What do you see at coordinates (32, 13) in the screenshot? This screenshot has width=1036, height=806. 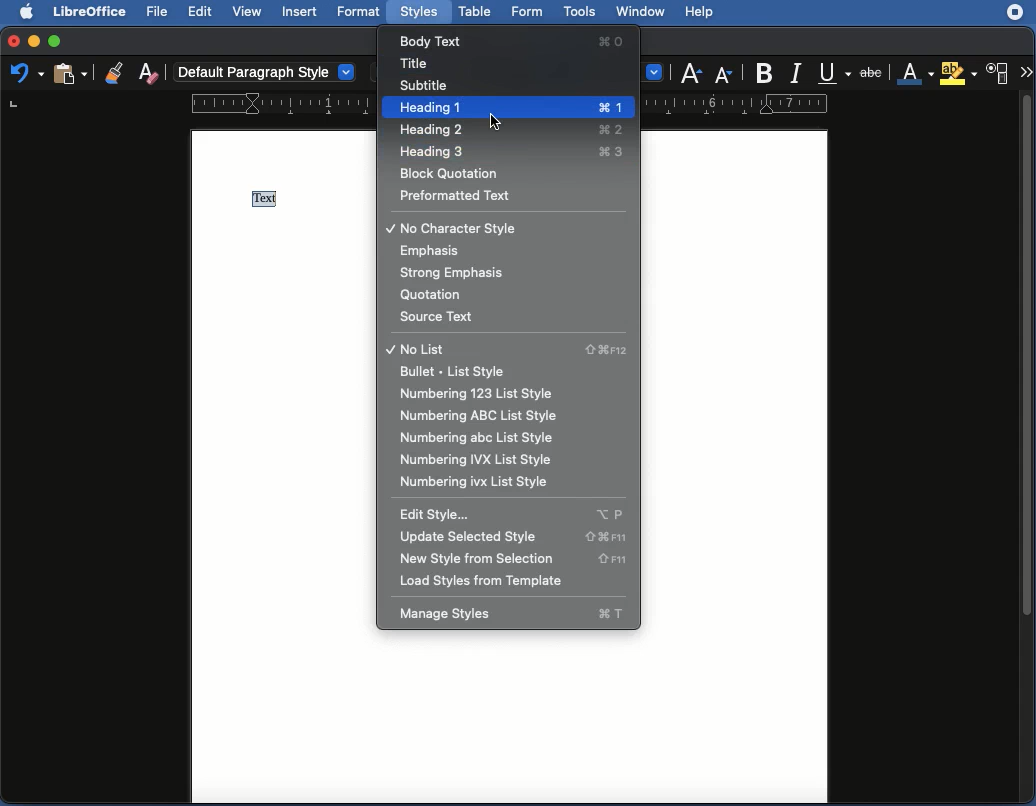 I see `Apple logo` at bounding box center [32, 13].